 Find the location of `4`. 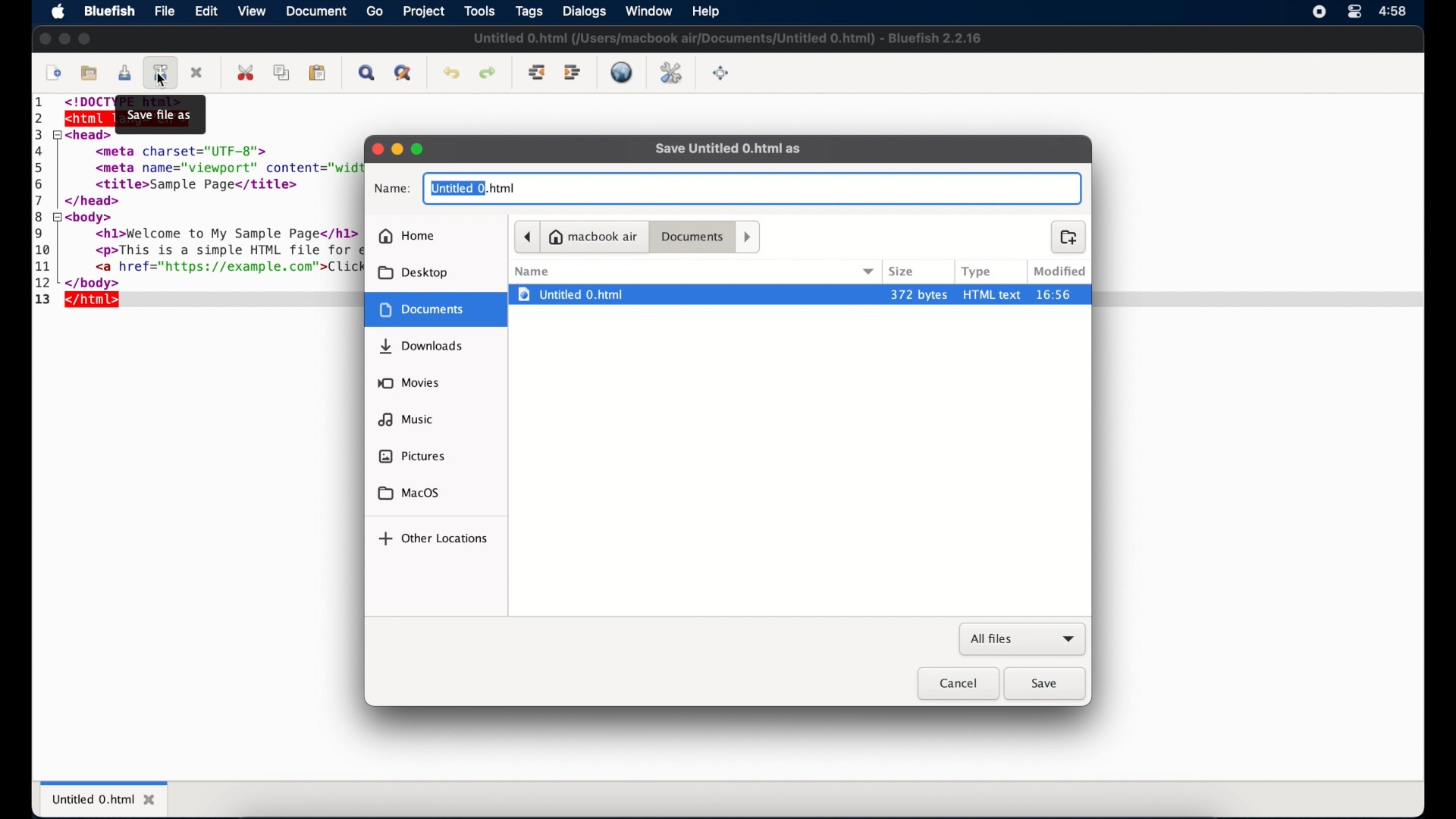

4 is located at coordinates (40, 150).